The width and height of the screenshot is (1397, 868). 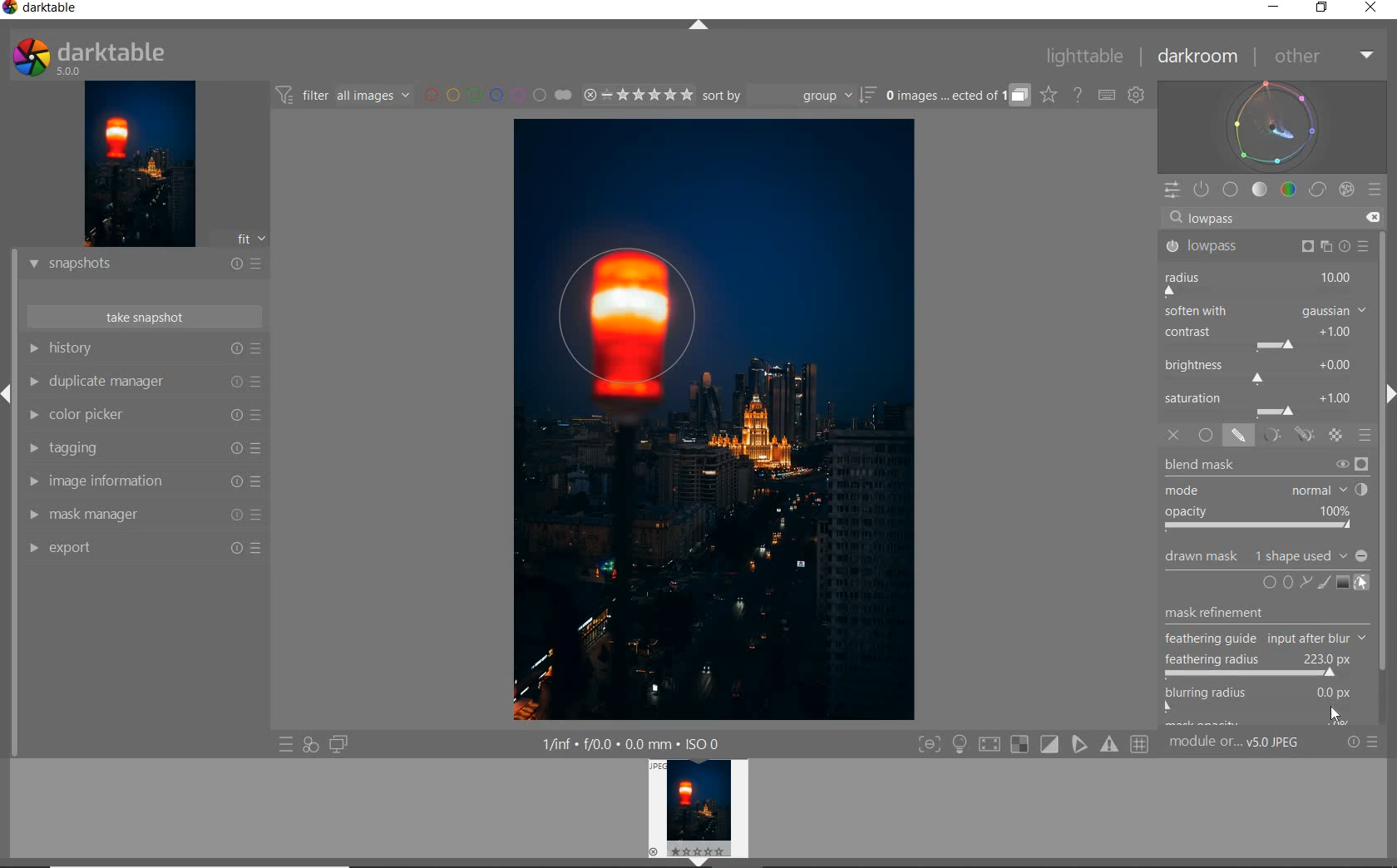 What do you see at coordinates (1261, 664) in the screenshot?
I see `FEATHERING RADIUS ADJUSTED` at bounding box center [1261, 664].